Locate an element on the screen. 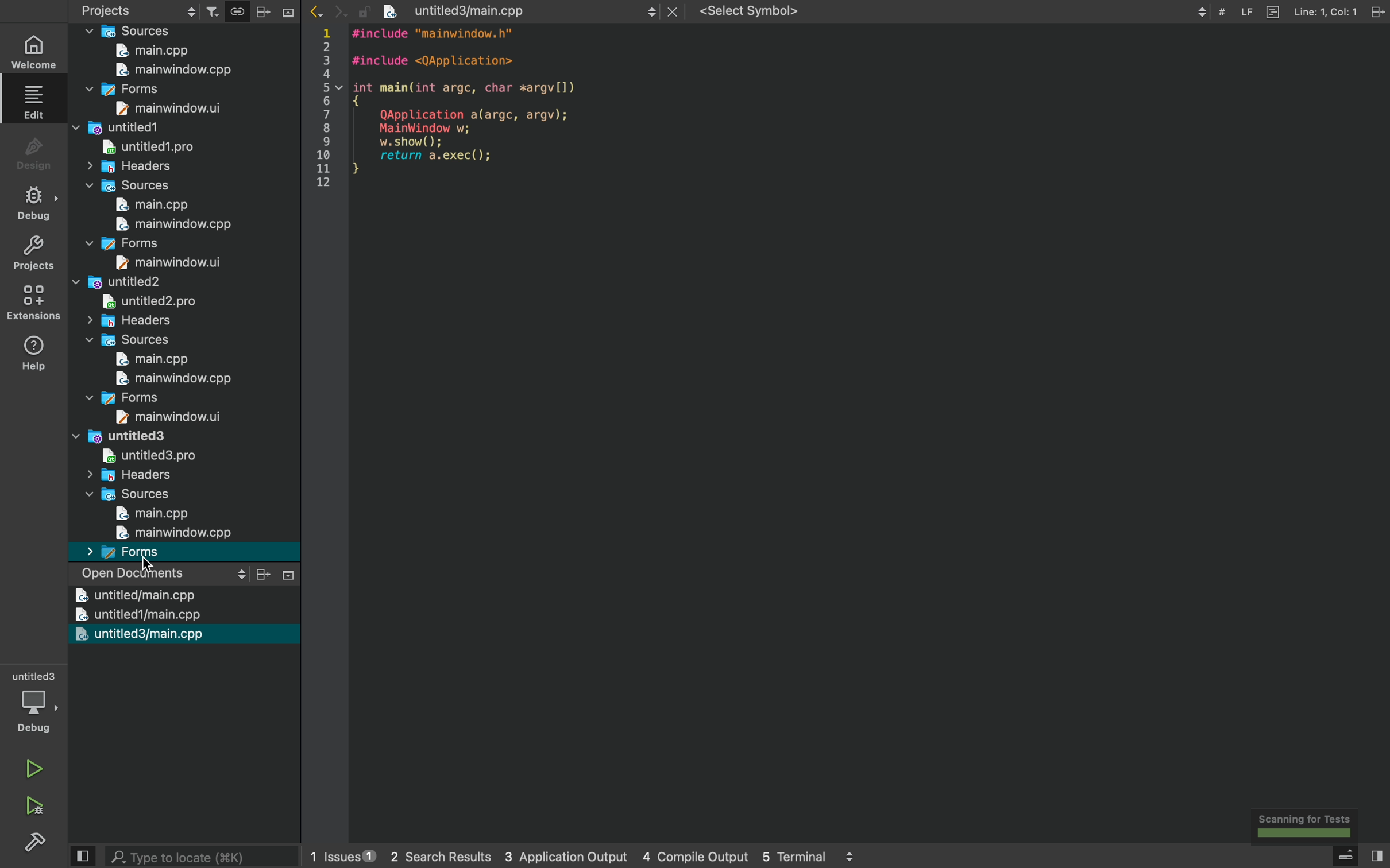  debug and run is located at coordinates (34, 805).